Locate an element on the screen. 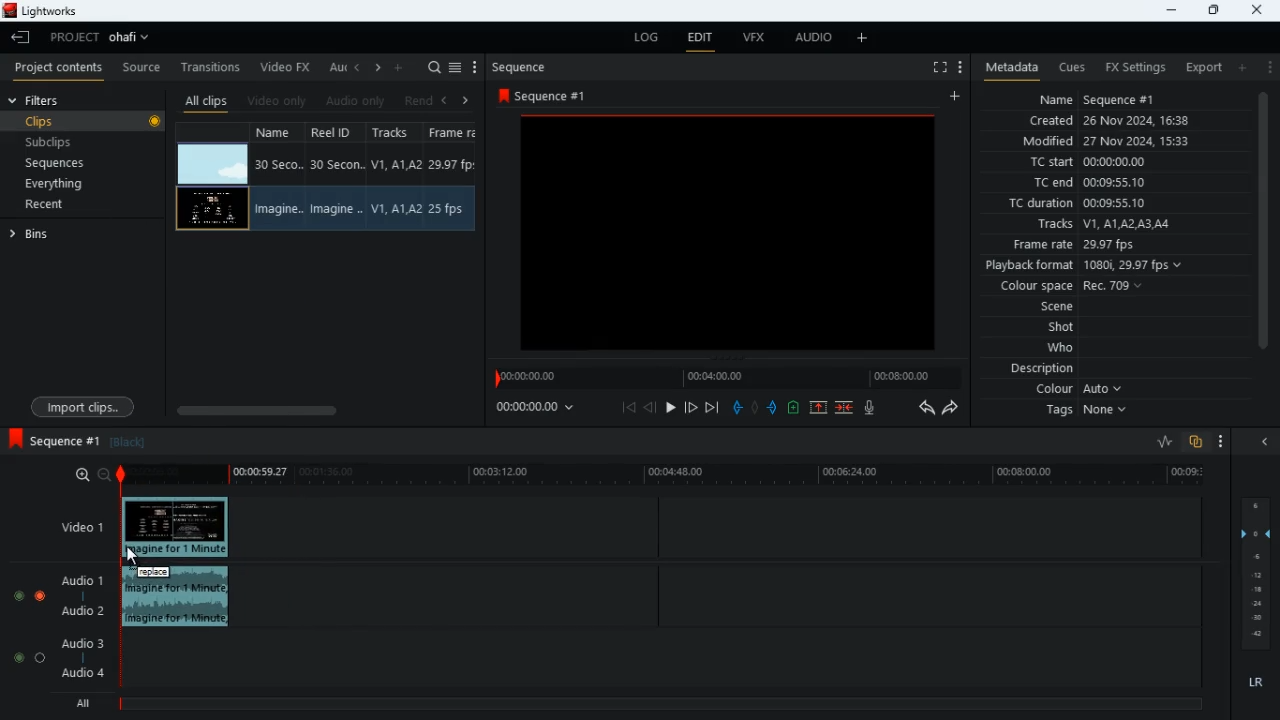 Image resolution: width=1280 pixels, height=720 pixels.  is located at coordinates (176, 528).